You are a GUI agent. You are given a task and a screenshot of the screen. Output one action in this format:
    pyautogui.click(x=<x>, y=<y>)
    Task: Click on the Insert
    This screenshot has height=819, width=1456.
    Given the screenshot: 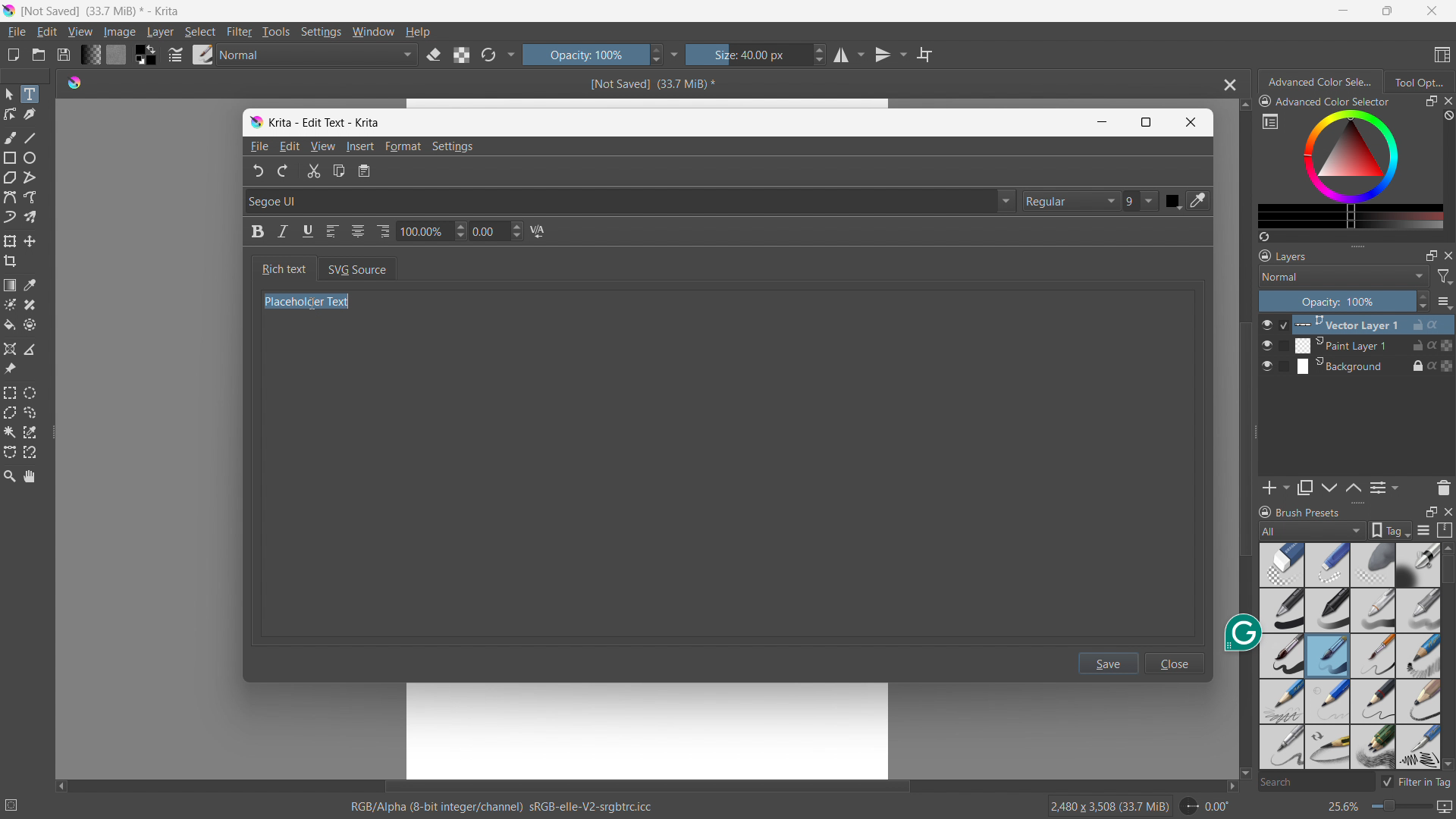 What is the action you would take?
    pyautogui.click(x=360, y=147)
    